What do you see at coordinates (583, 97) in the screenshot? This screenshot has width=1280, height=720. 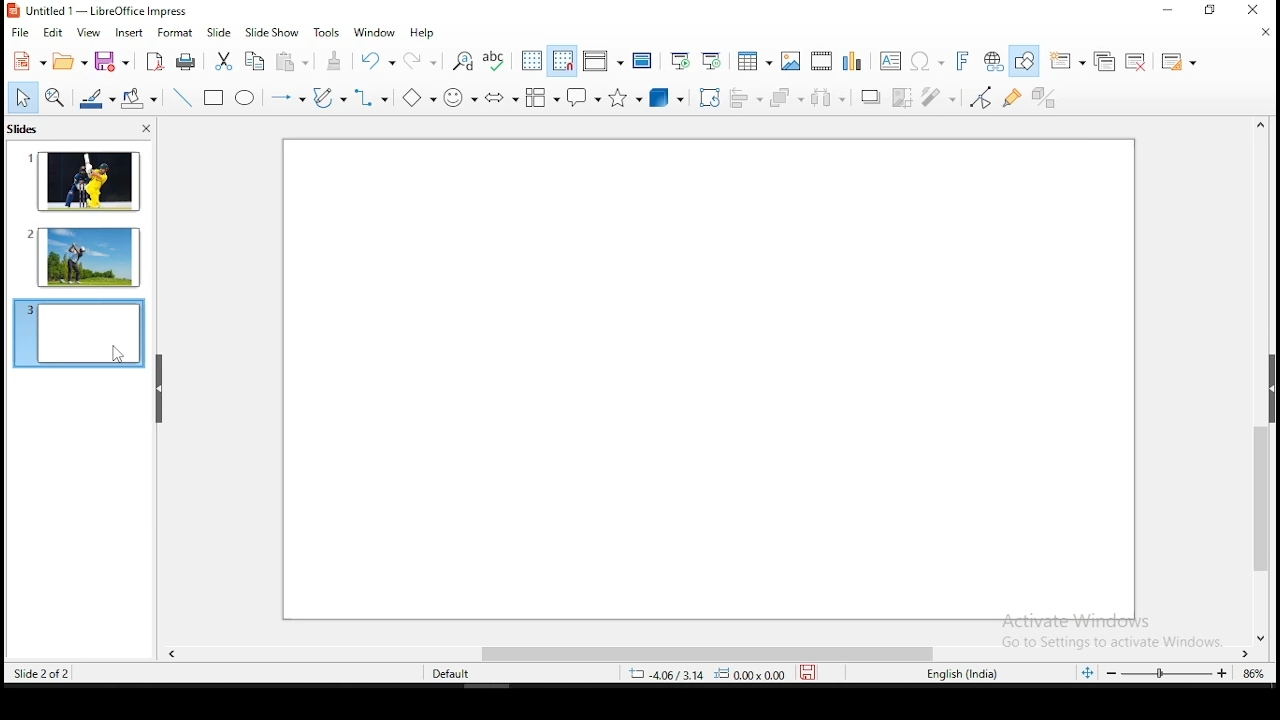 I see `callout shape` at bounding box center [583, 97].